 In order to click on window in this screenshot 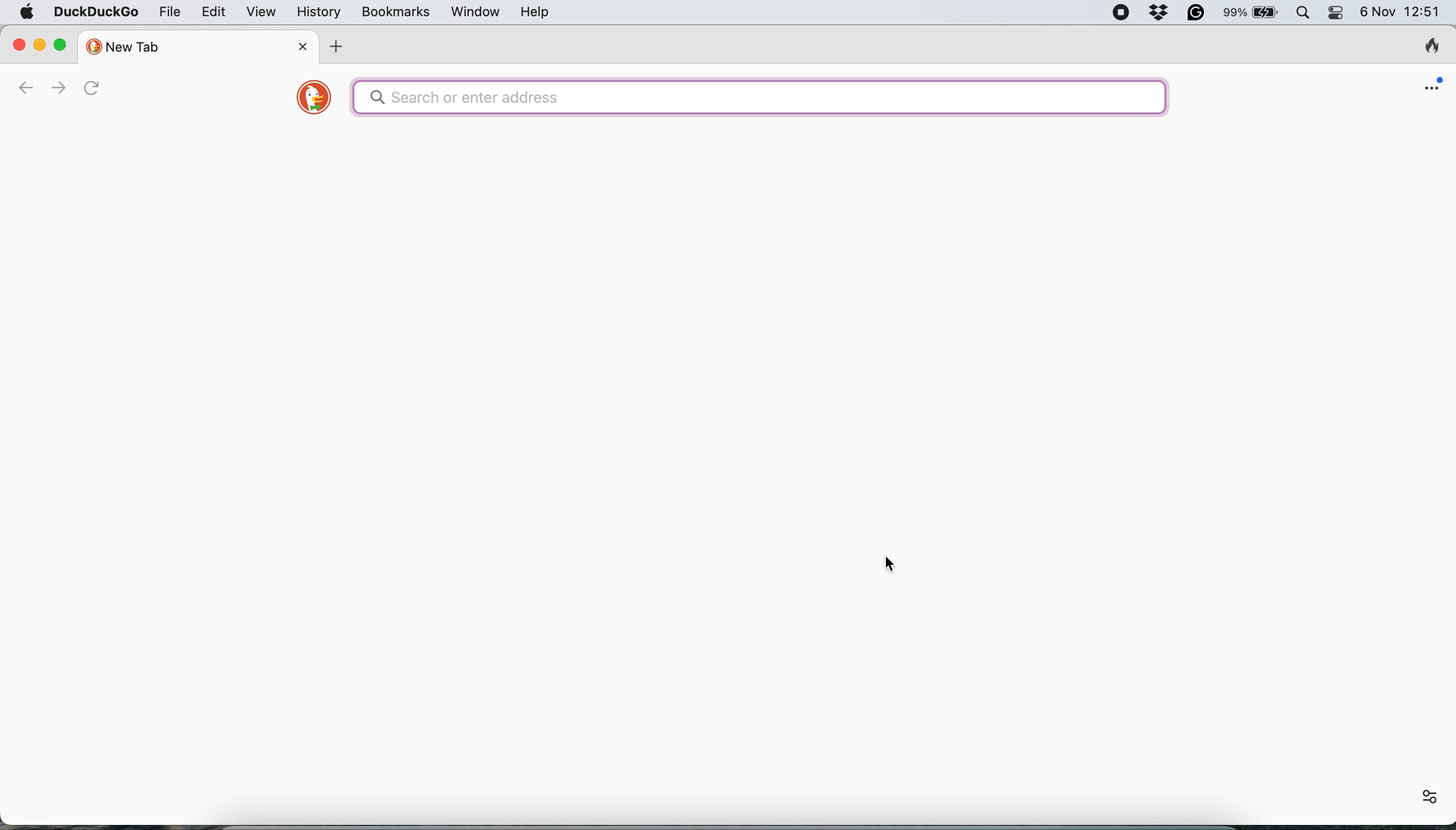, I will do `click(473, 12)`.